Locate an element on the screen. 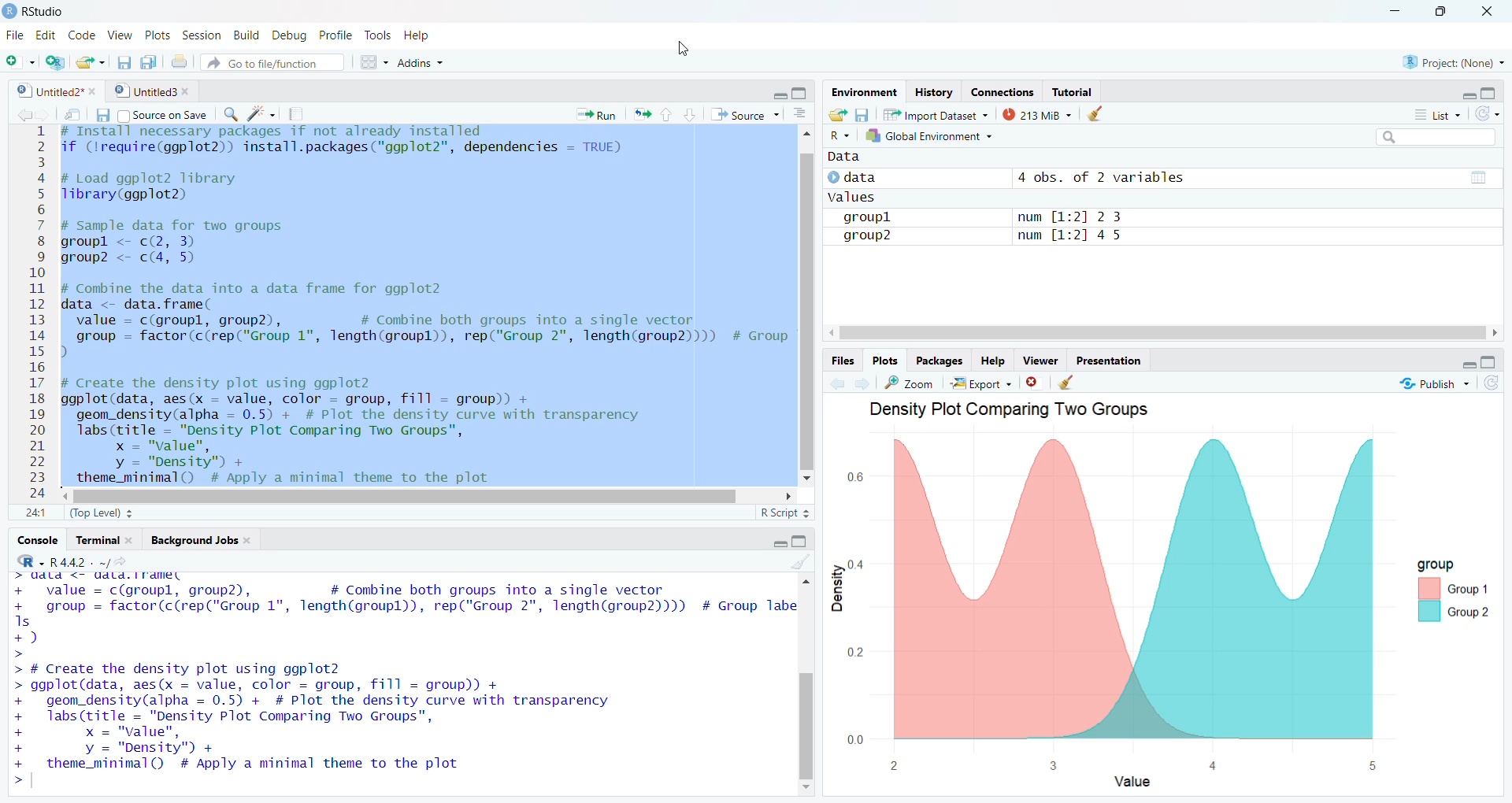 The height and width of the screenshot is (803, 1512). graph is located at coordinates (1101, 583).